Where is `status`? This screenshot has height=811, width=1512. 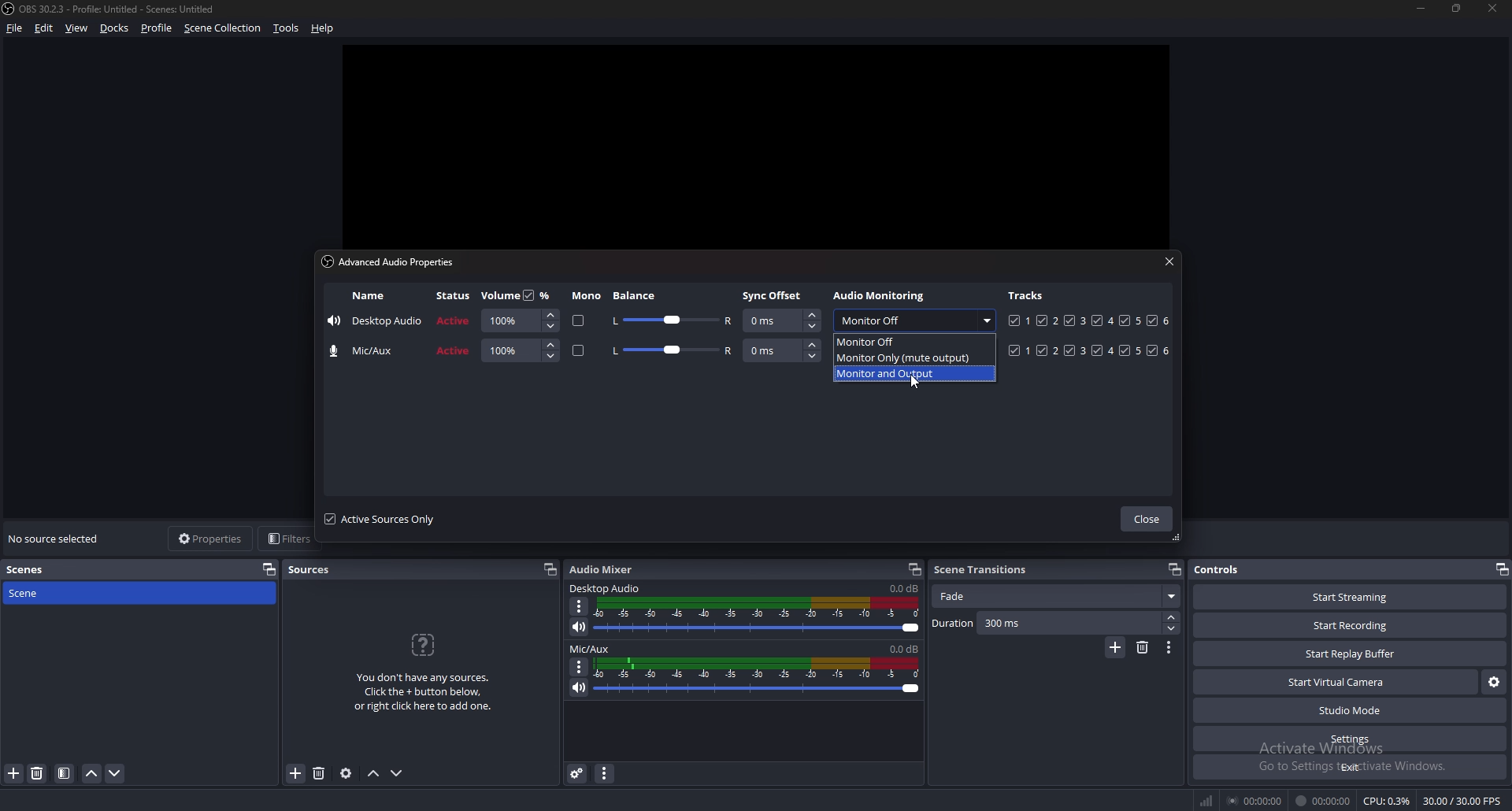 status is located at coordinates (454, 294).